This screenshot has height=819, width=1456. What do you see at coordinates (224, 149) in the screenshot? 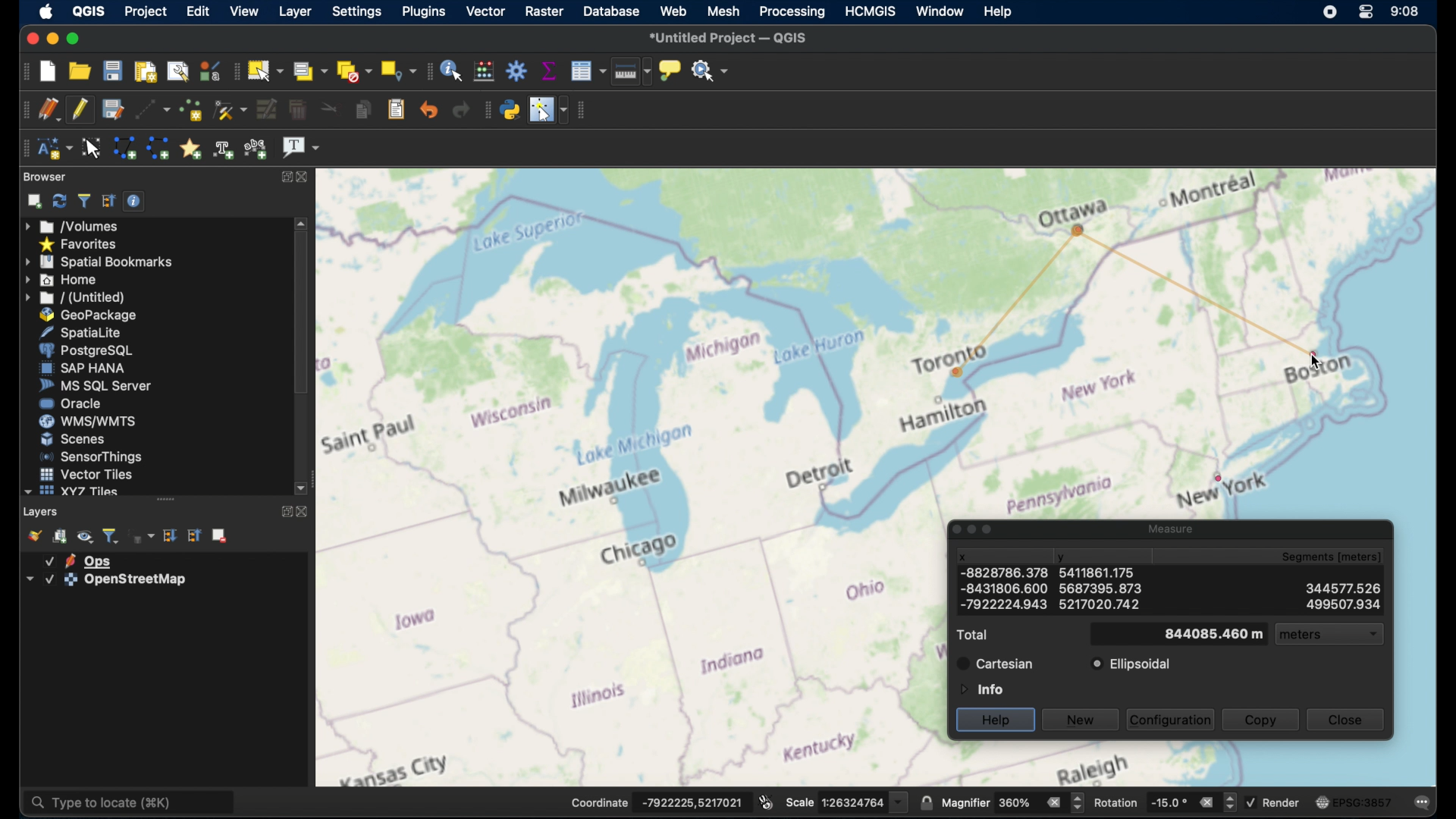
I see `create text annotation along line` at bounding box center [224, 149].